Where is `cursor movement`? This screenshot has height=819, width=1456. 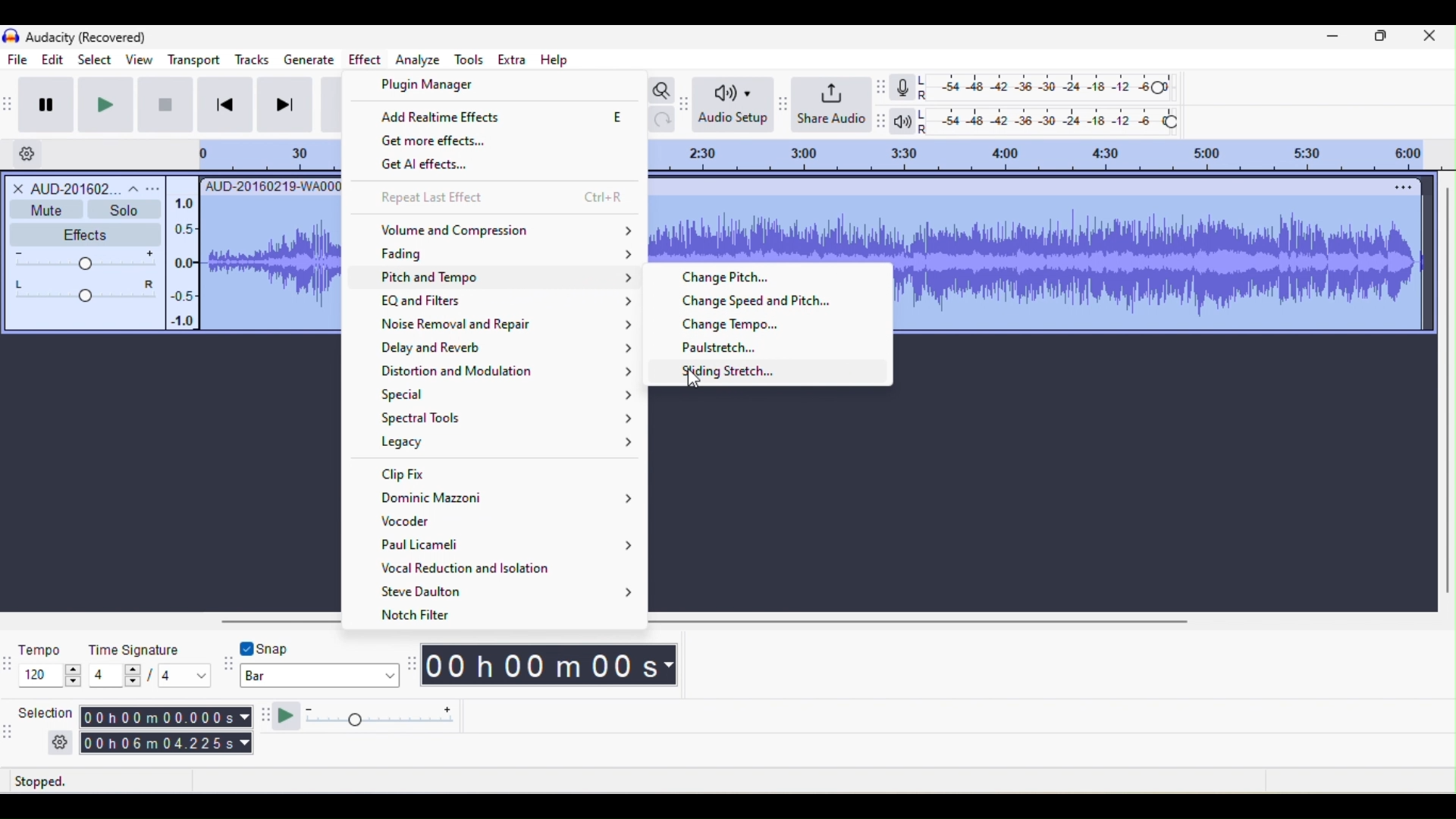 cursor movement is located at coordinates (692, 376).